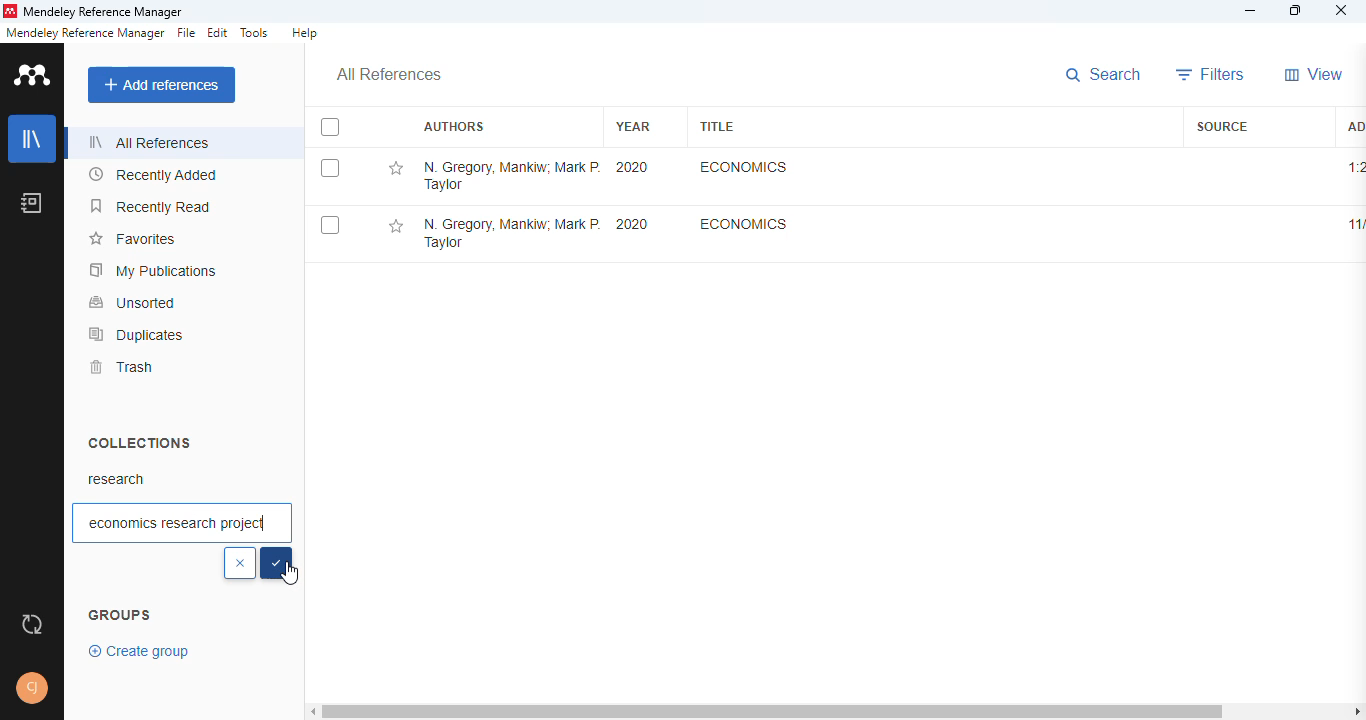 This screenshot has height=720, width=1366. Describe the element at coordinates (149, 142) in the screenshot. I see `all references` at that location.